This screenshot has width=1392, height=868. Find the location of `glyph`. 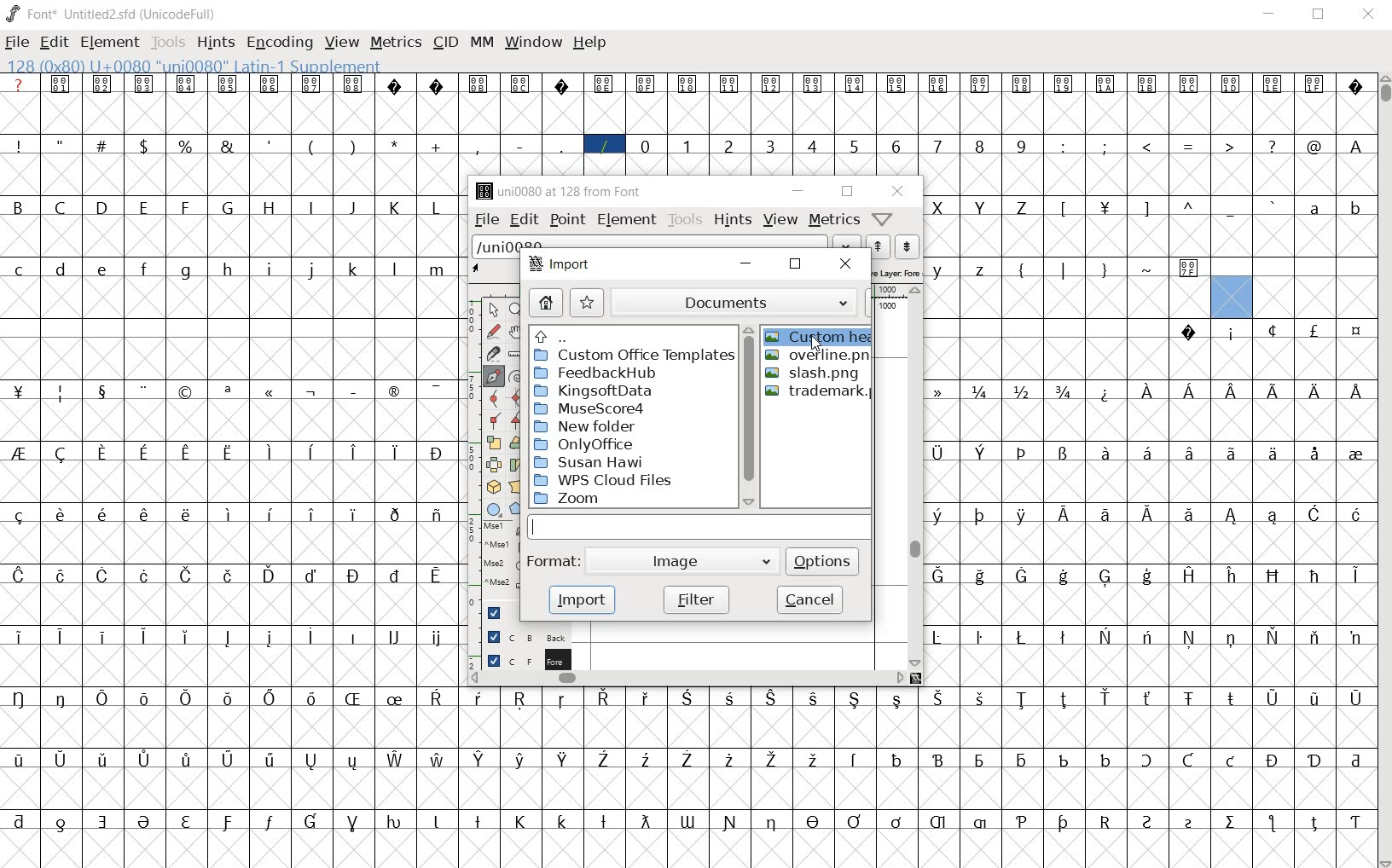

glyph is located at coordinates (1064, 391).